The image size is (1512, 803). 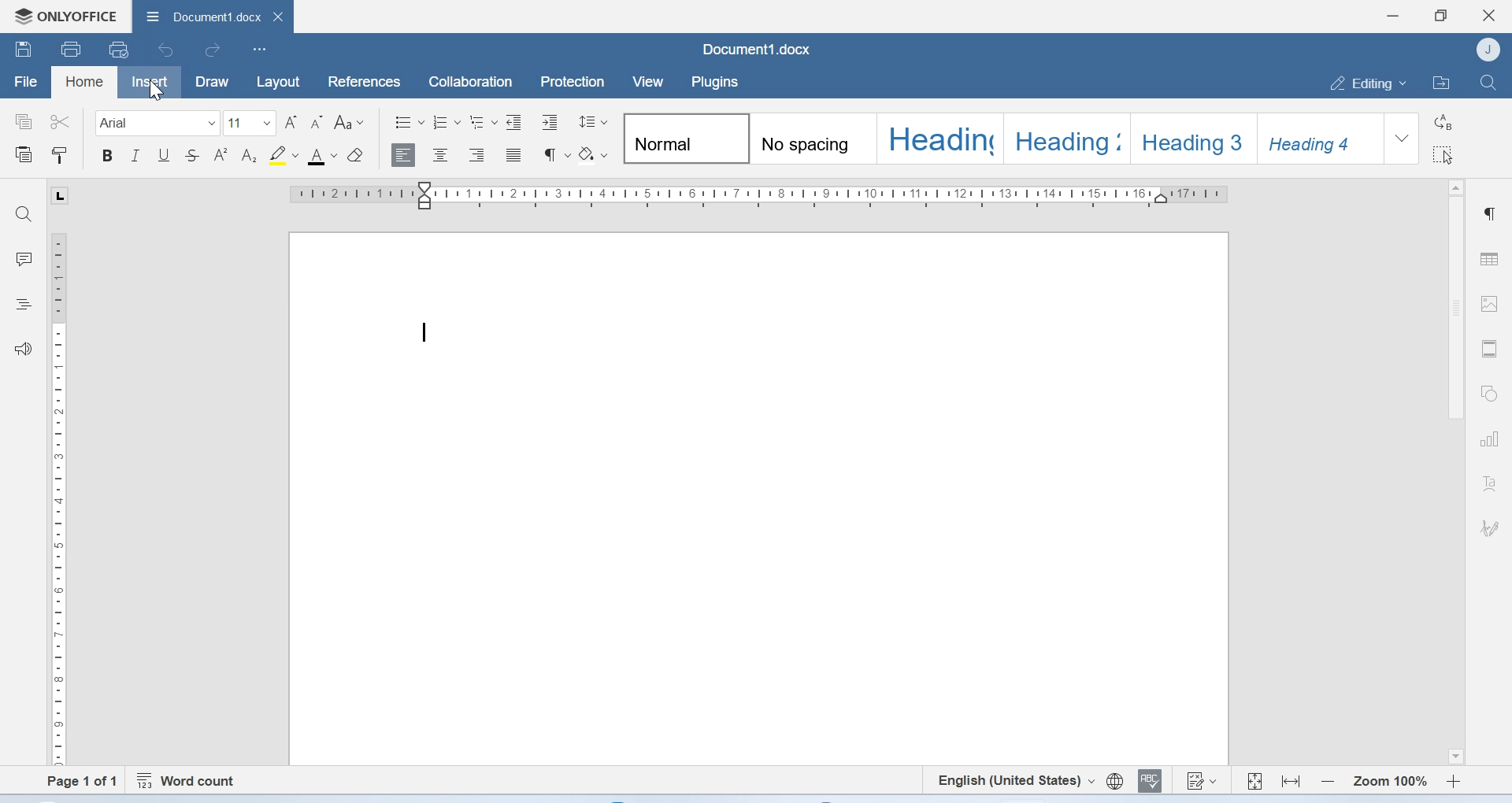 I want to click on Decrease indent, so click(x=515, y=120).